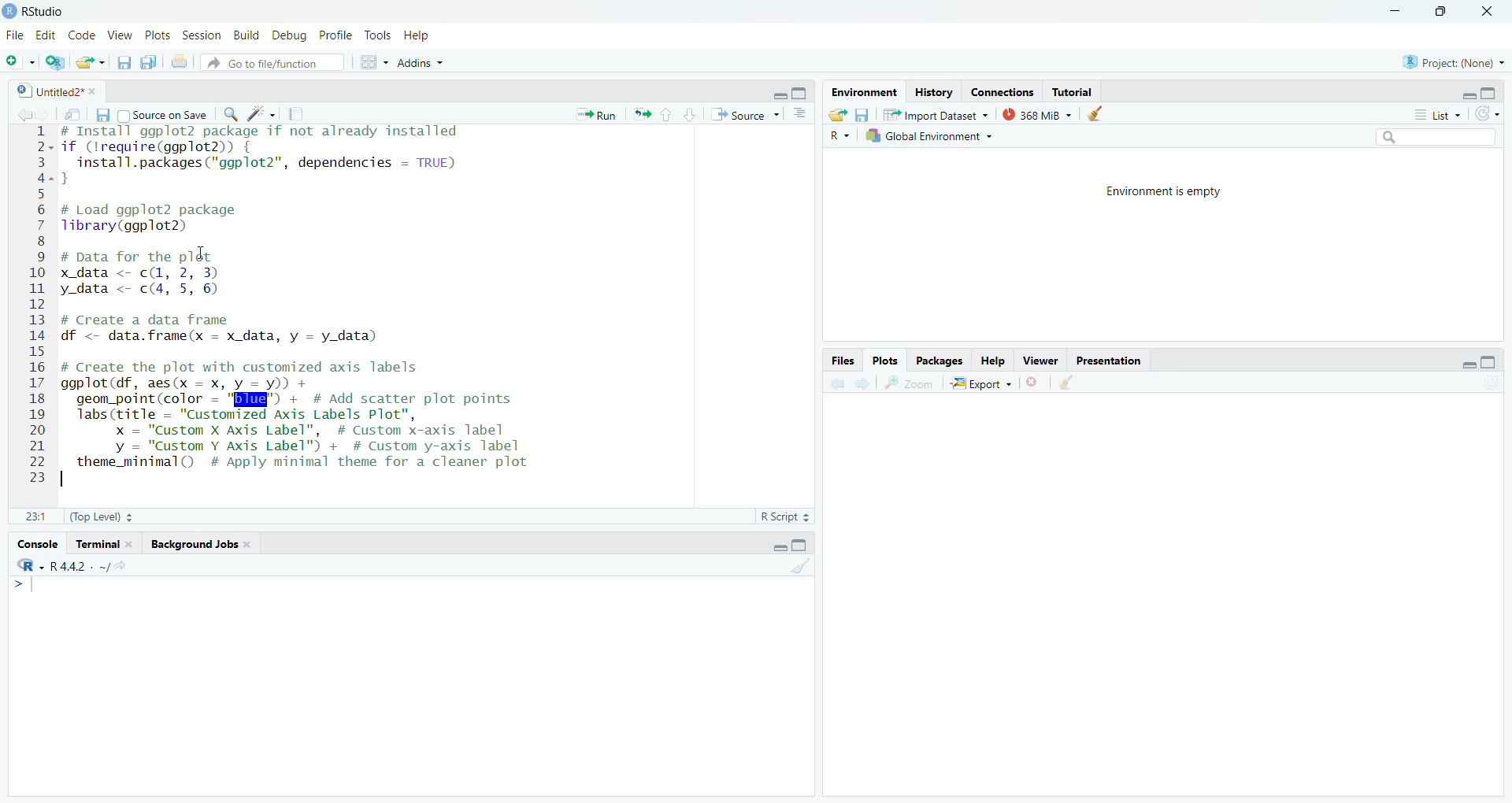 This screenshot has width=1512, height=803. Describe the element at coordinates (47, 35) in the screenshot. I see `Edit` at that location.